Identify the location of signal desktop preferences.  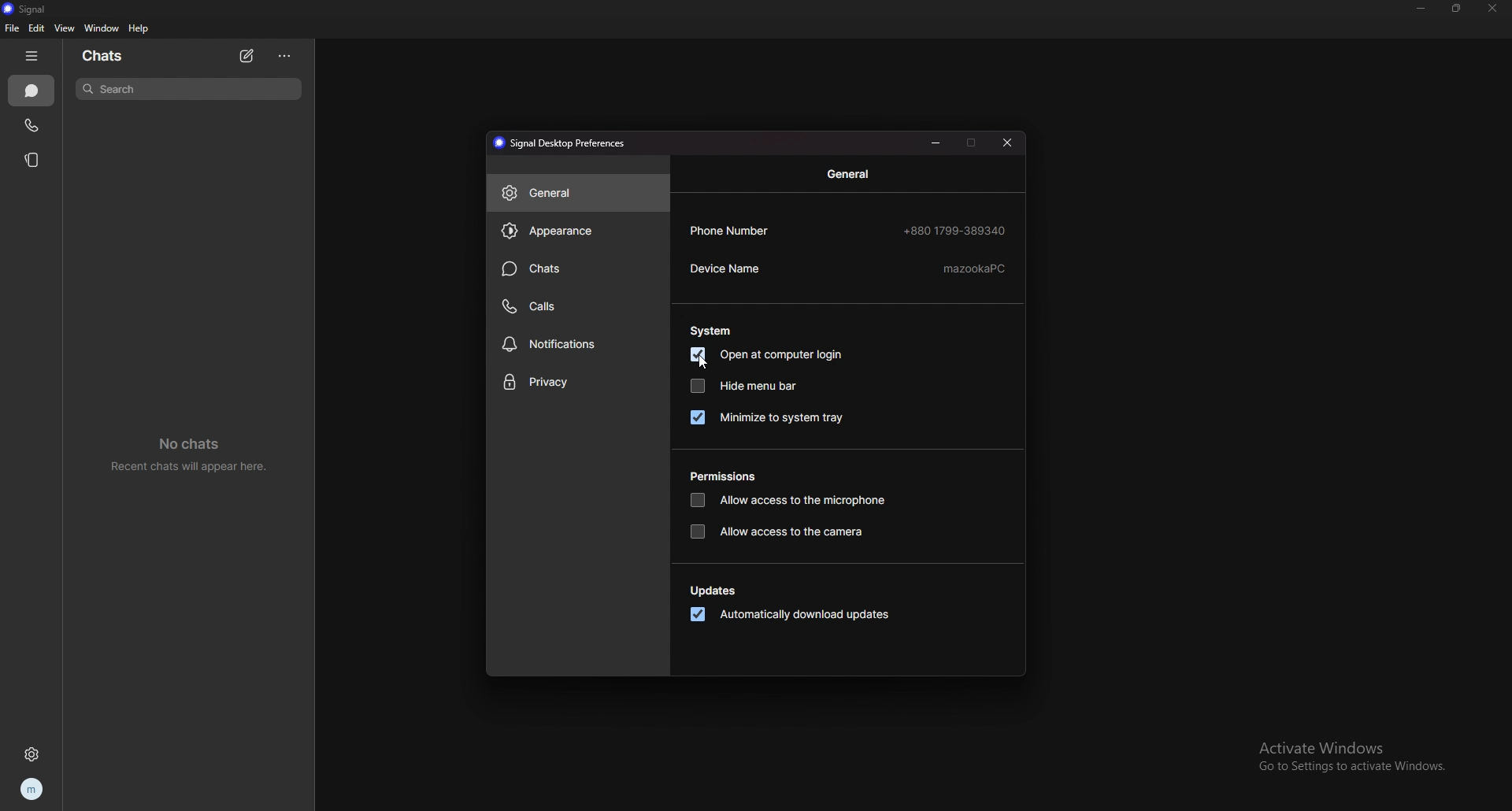
(564, 143).